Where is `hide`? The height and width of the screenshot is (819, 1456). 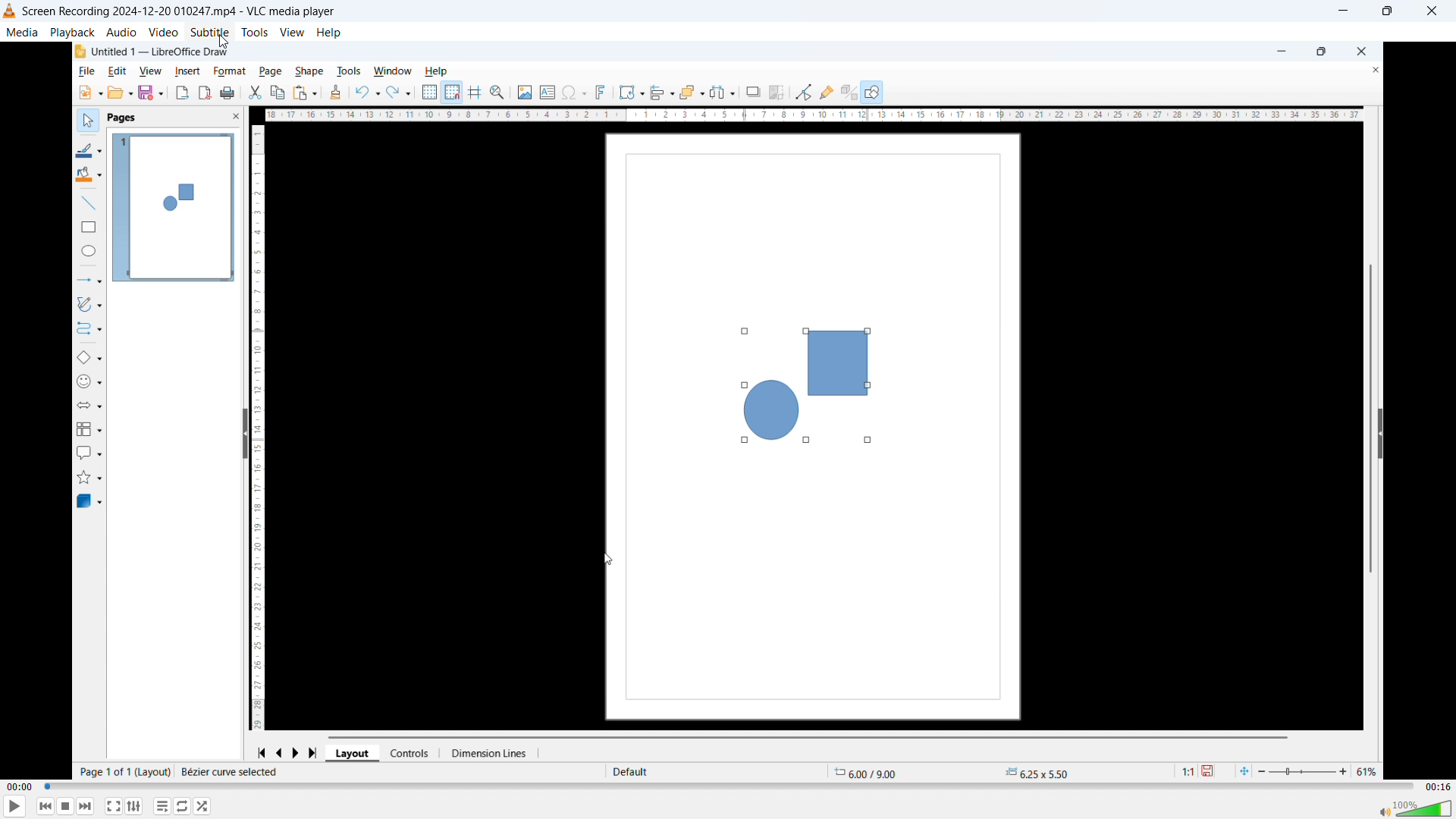 hide is located at coordinates (1380, 433).